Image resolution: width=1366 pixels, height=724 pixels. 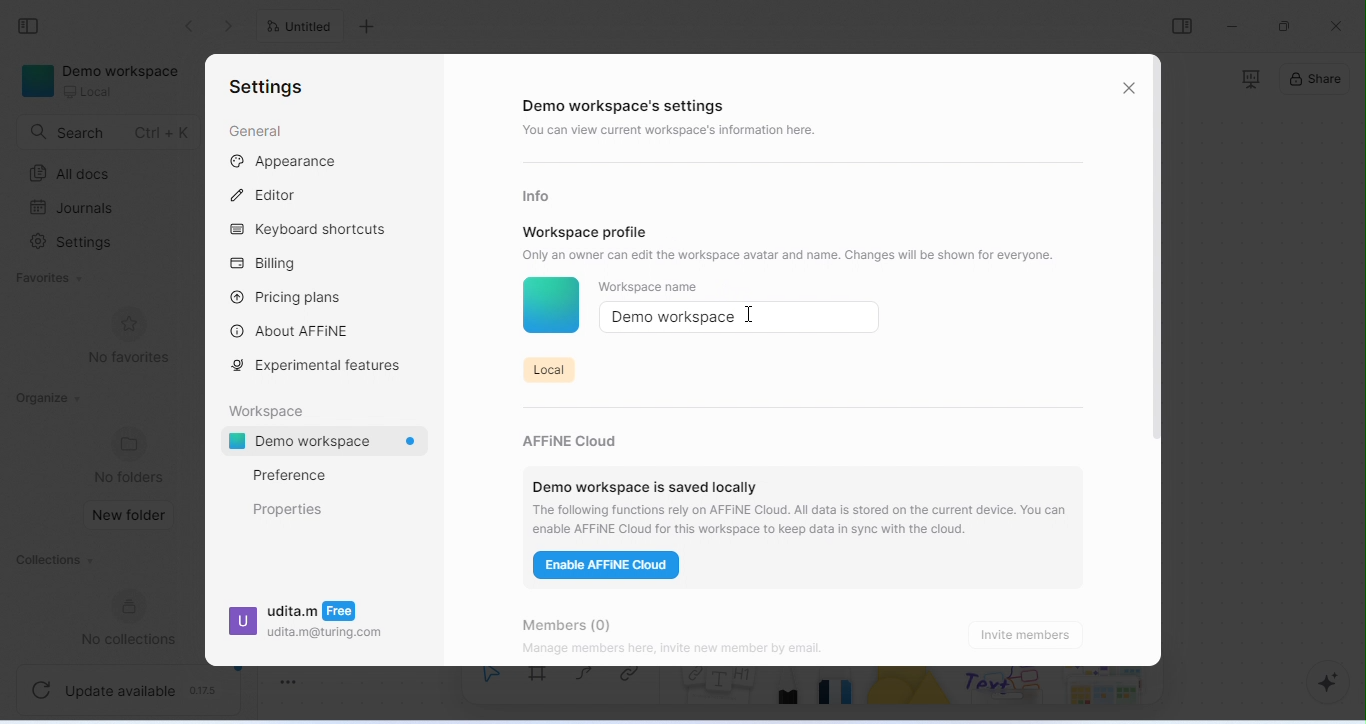 I want to click on workspace icon, so click(x=550, y=307).